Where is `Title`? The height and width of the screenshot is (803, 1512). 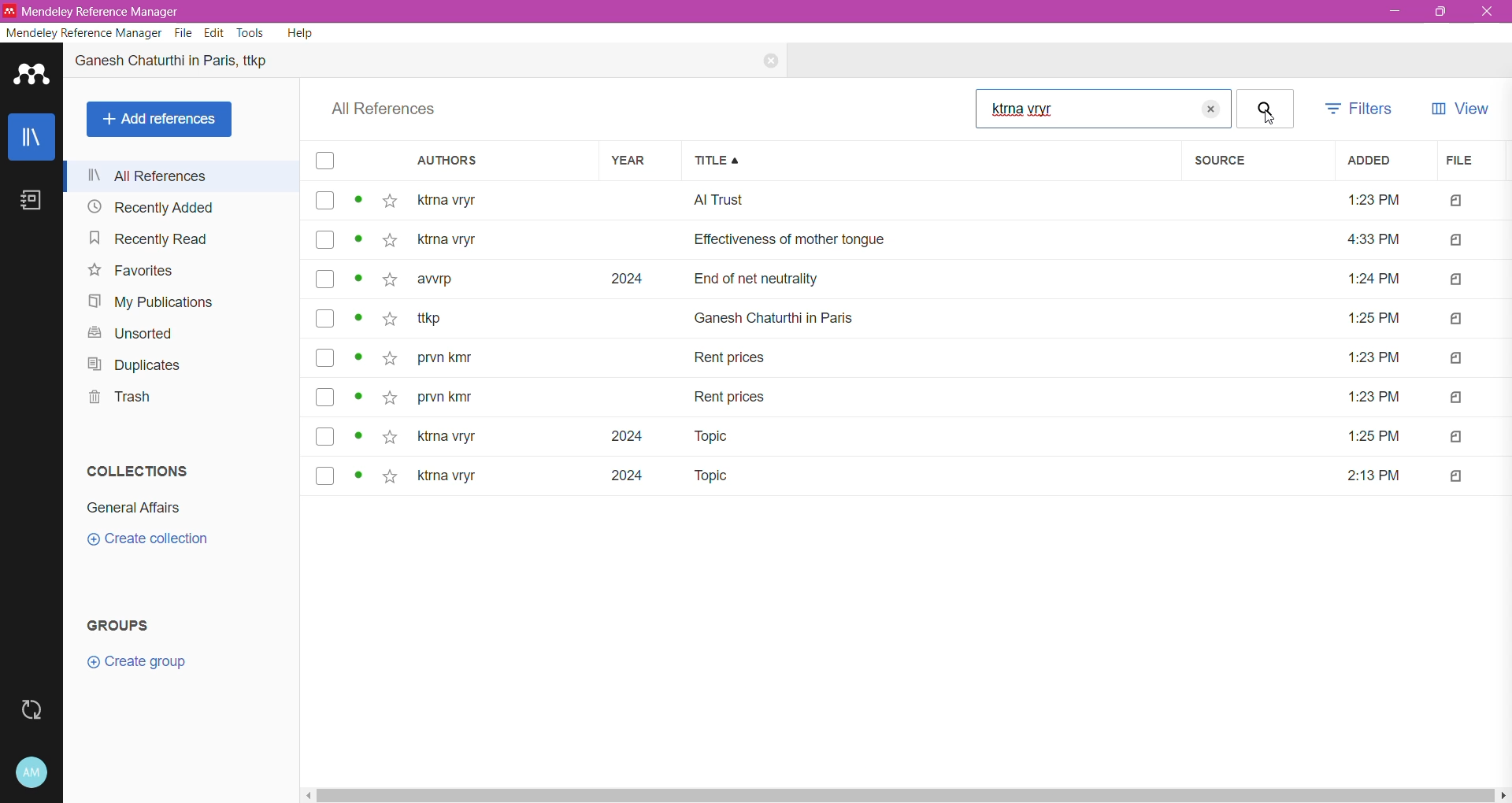 Title is located at coordinates (932, 161).